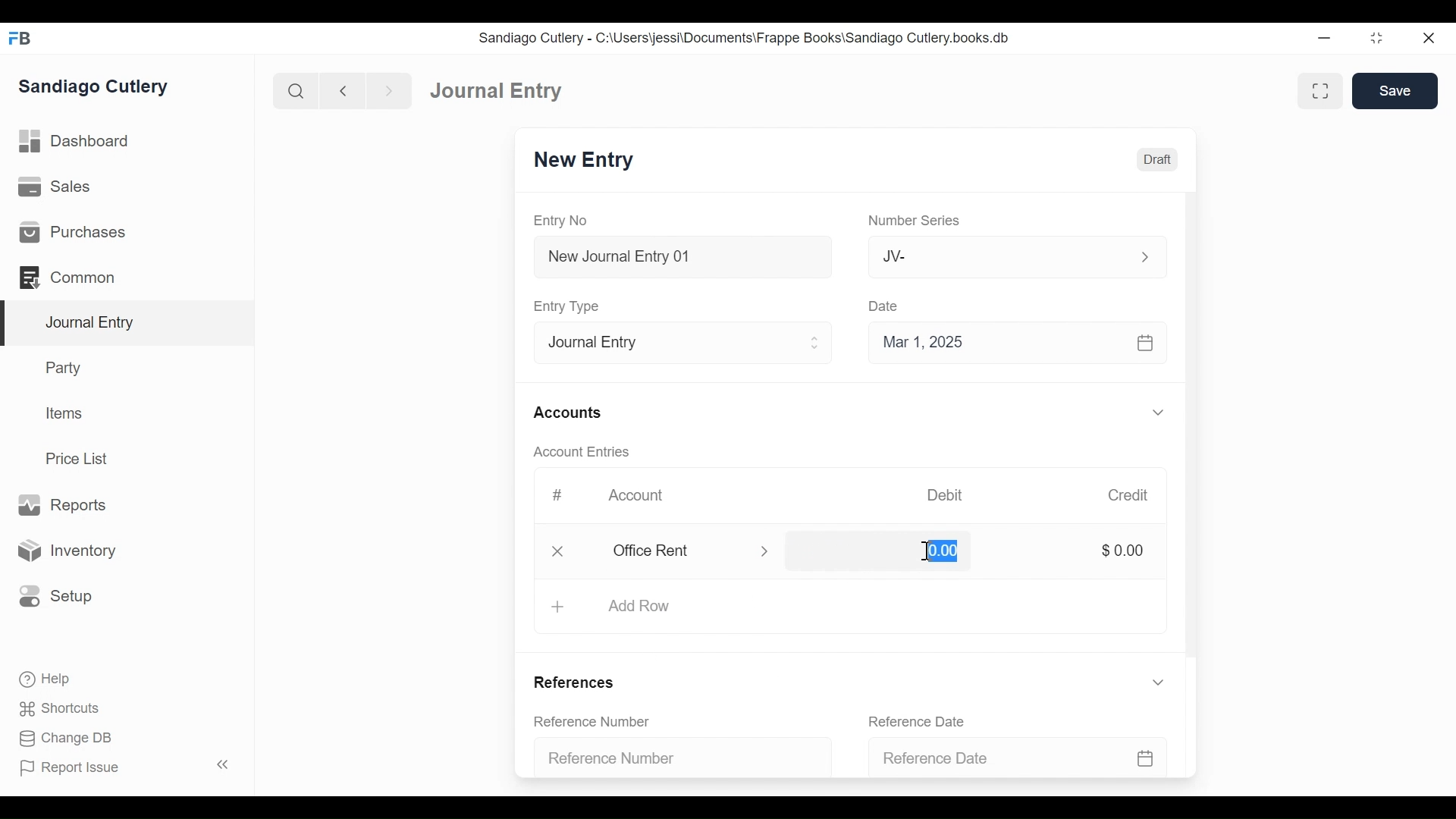 The width and height of the screenshot is (1456, 819). What do you see at coordinates (59, 739) in the screenshot?
I see `Change DB` at bounding box center [59, 739].